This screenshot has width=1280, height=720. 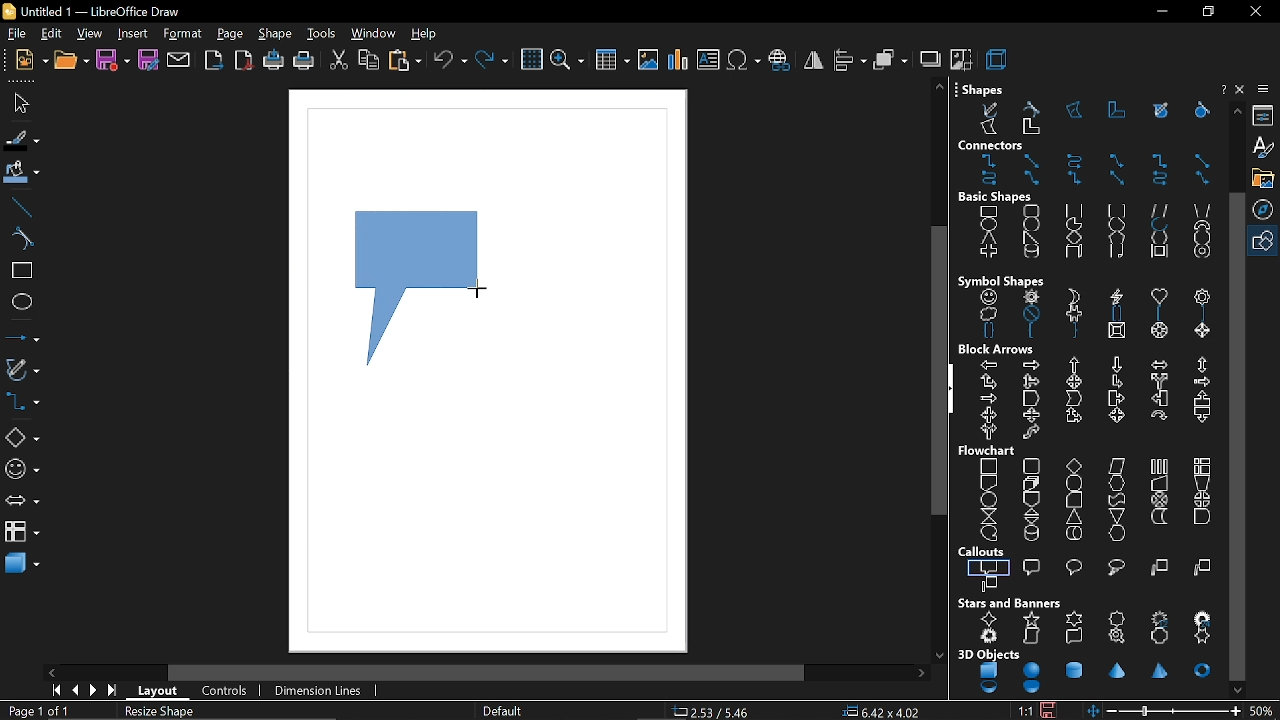 I want to click on circle pie, so click(x=1074, y=224).